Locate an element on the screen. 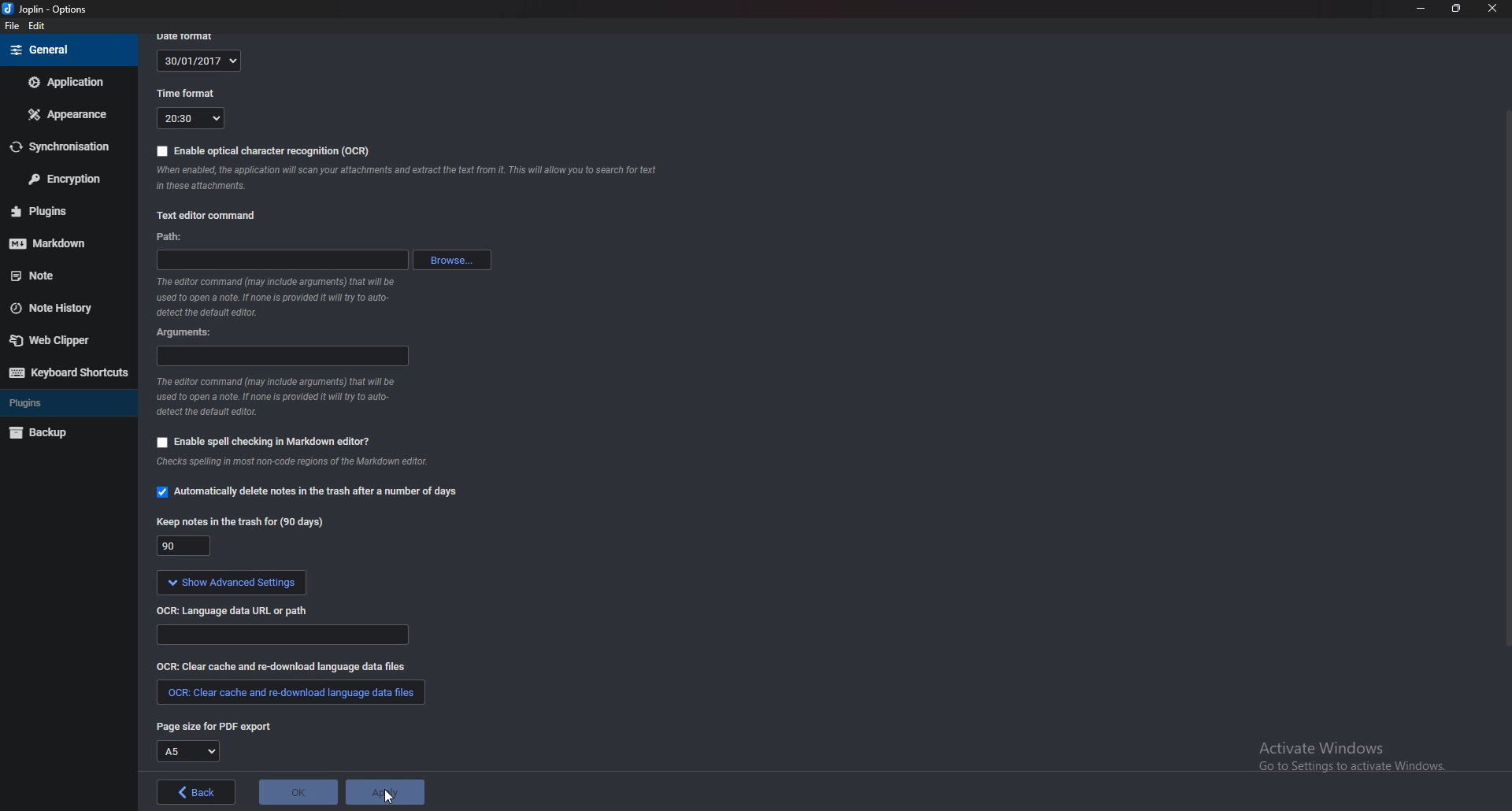  30/01/2017 is located at coordinates (198, 61).